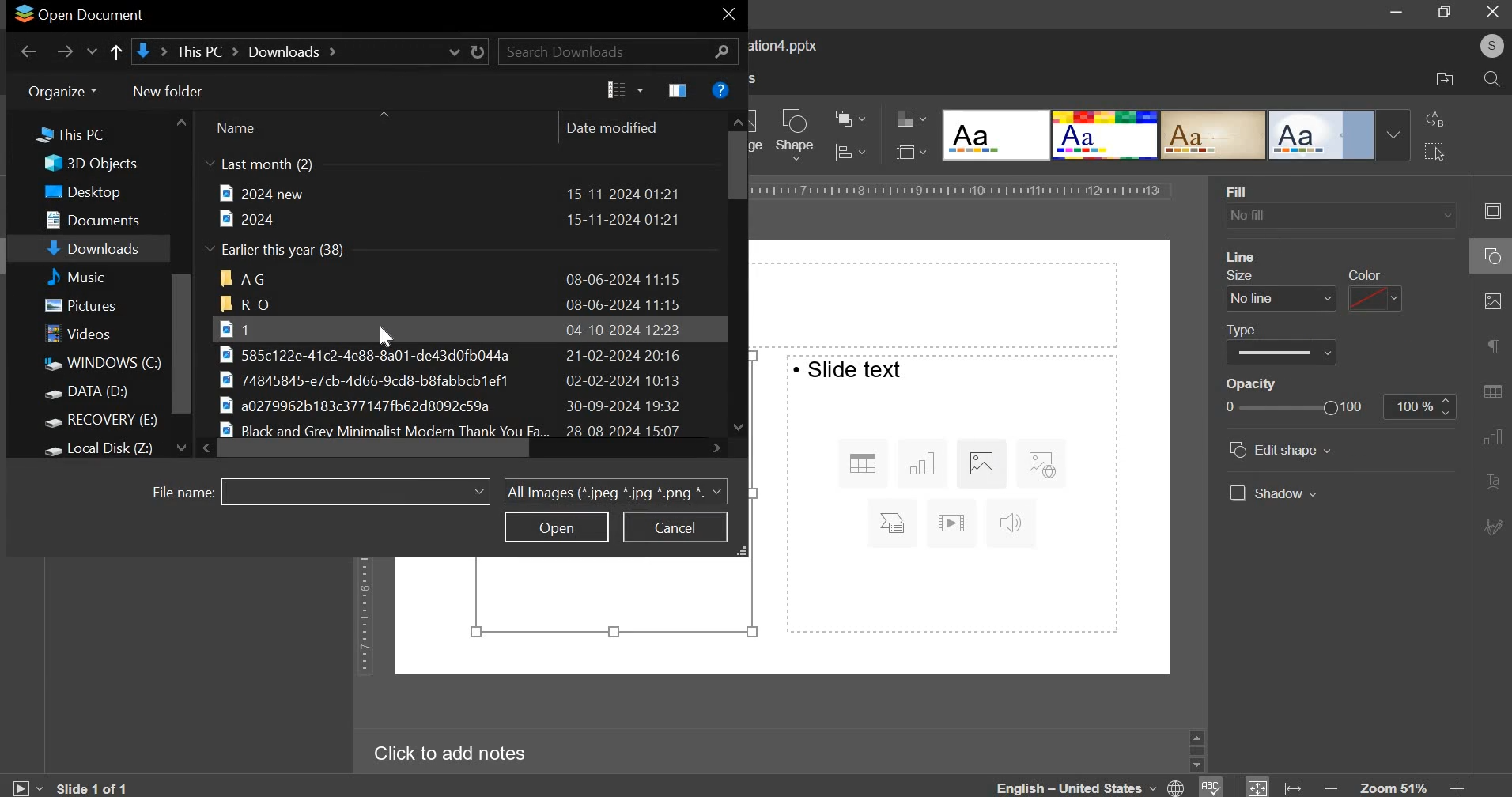  I want to click on click to add notes, so click(443, 754).